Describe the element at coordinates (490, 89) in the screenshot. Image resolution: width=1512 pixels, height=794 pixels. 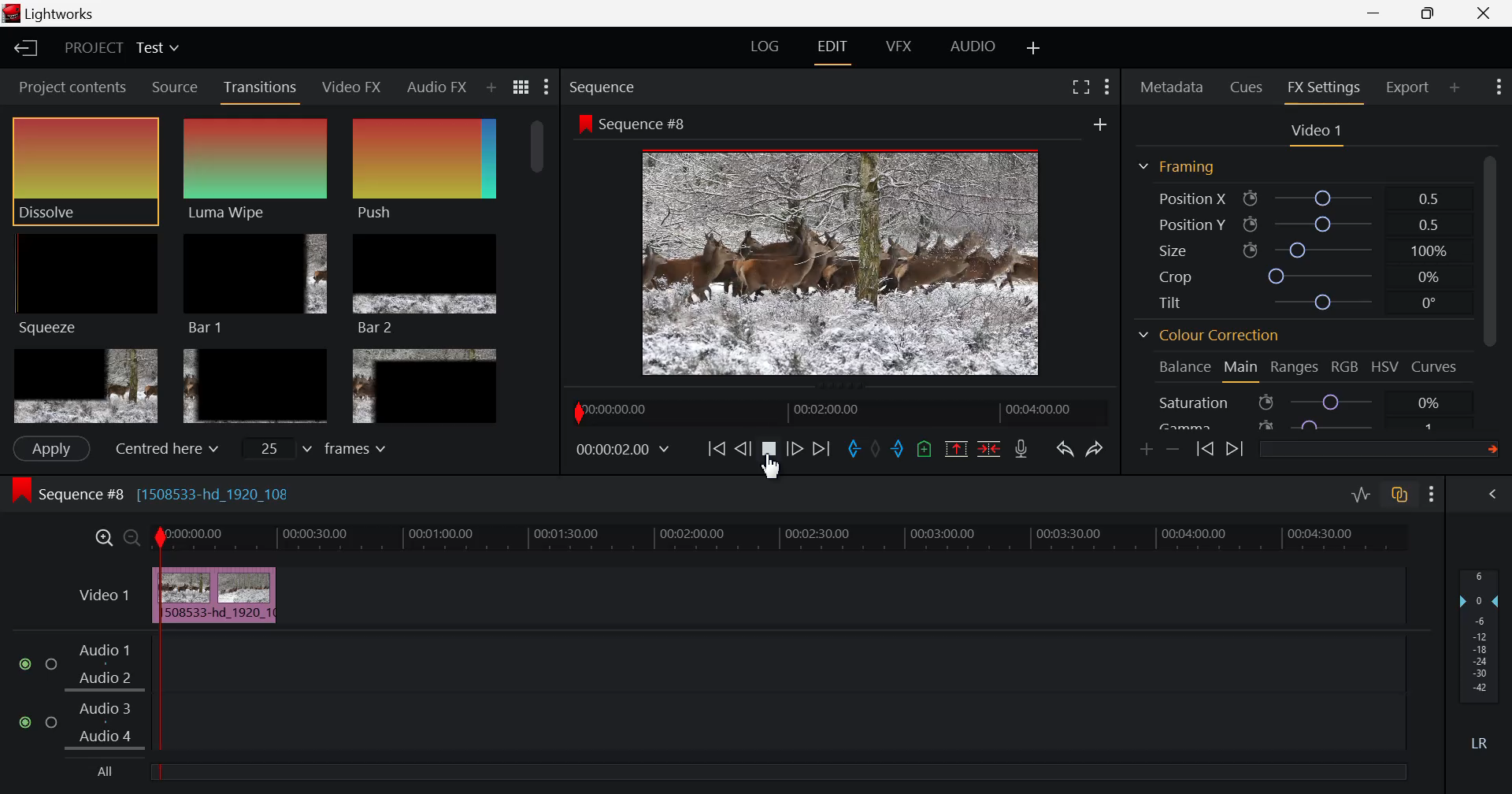
I see `Add Panel` at that location.